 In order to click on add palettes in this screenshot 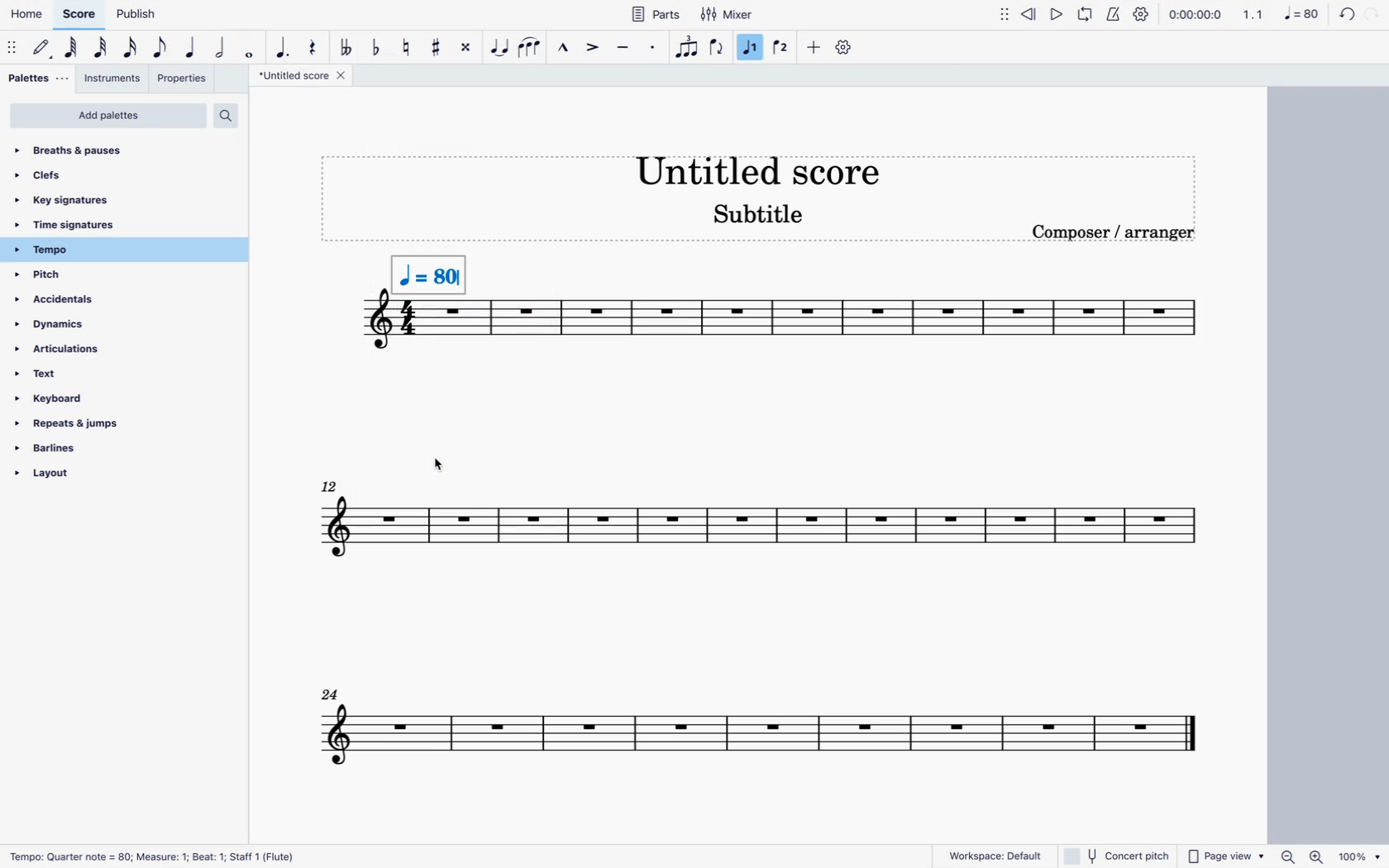, I will do `click(106, 117)`.